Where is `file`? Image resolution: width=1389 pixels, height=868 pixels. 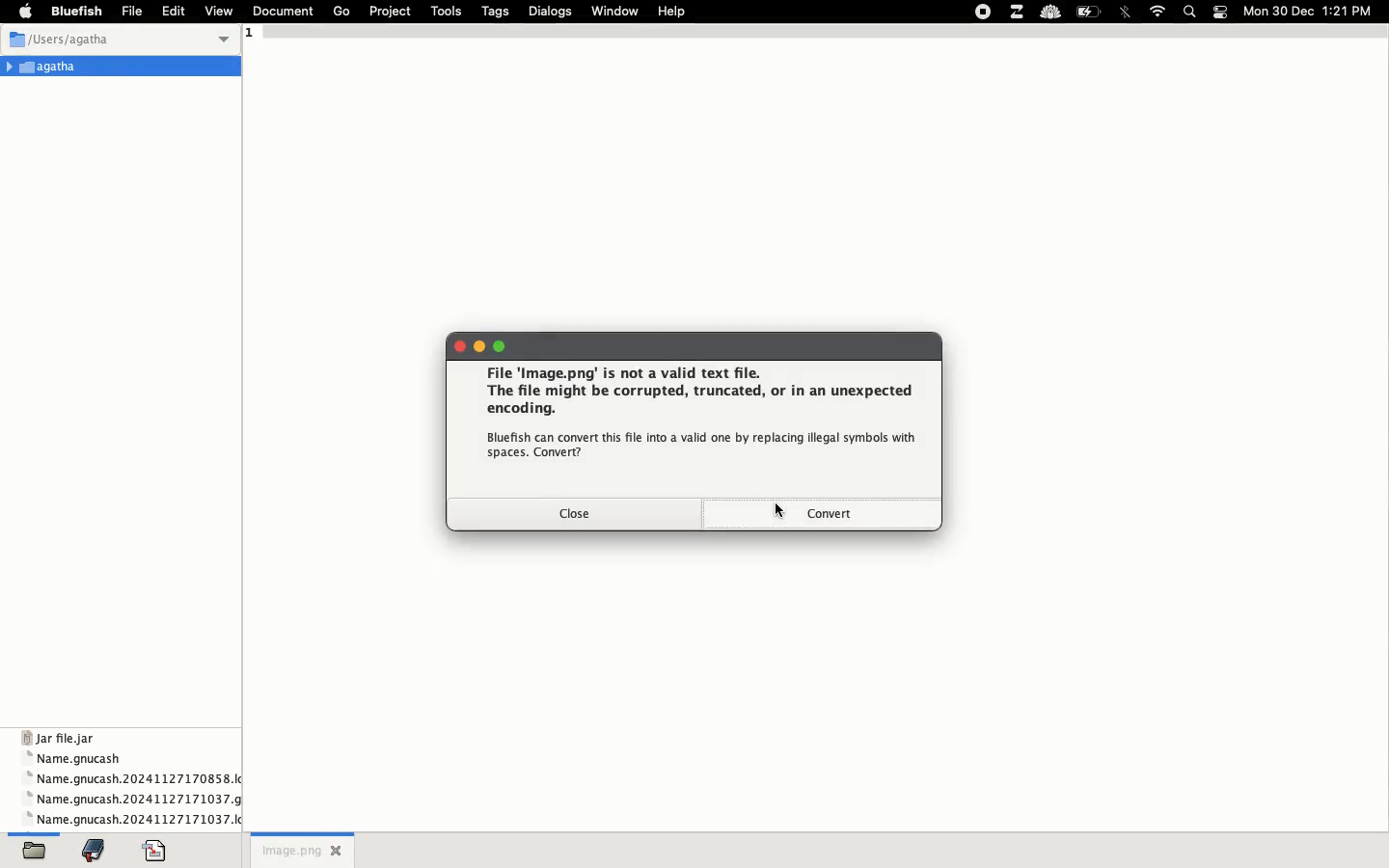
file is located at coordinates (132, 13).